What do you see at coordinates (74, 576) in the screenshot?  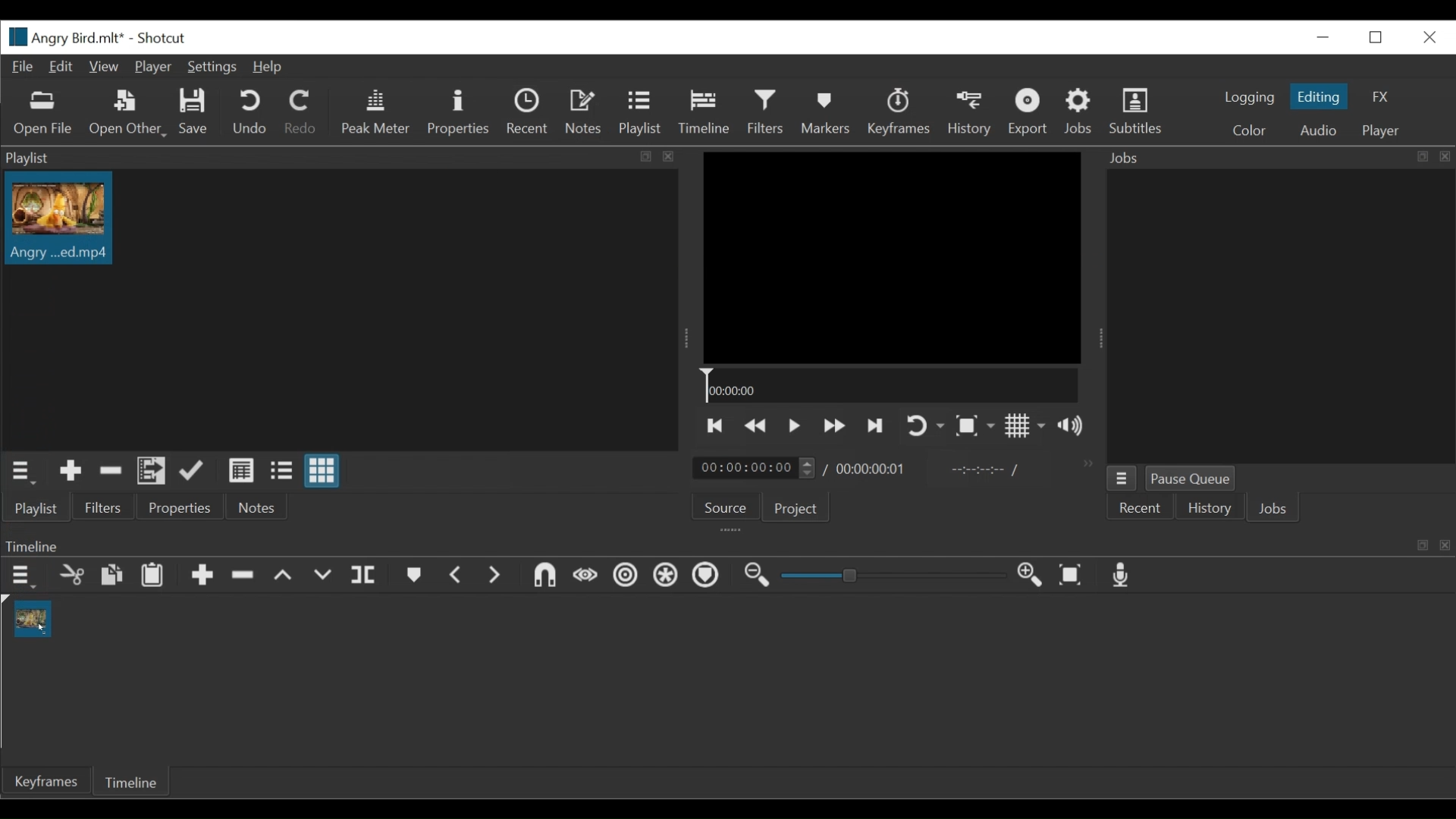 I see `cut` at bounding box center [74, 576].